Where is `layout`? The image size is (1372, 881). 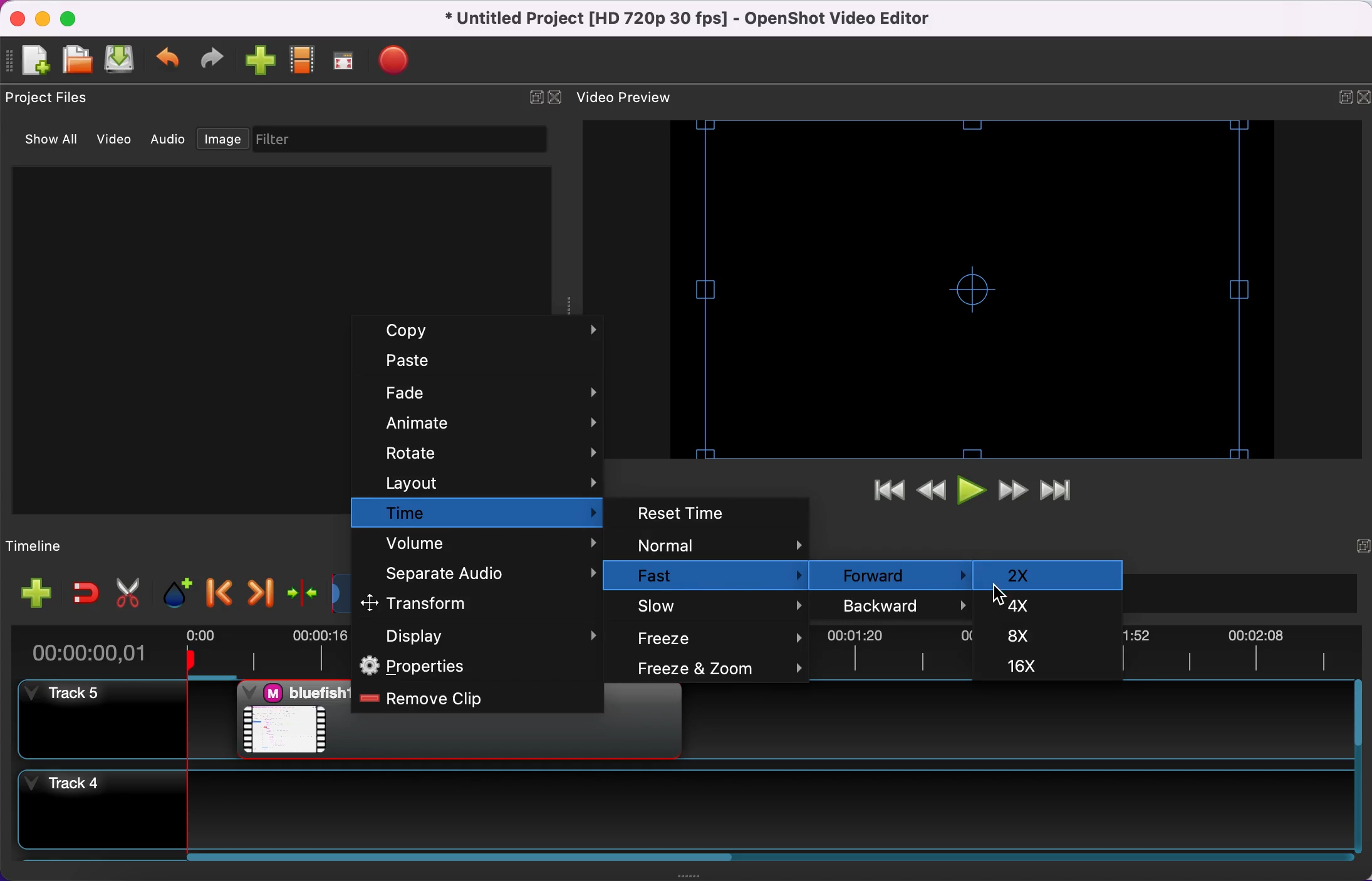
layout is located at coordinates (479, 482).